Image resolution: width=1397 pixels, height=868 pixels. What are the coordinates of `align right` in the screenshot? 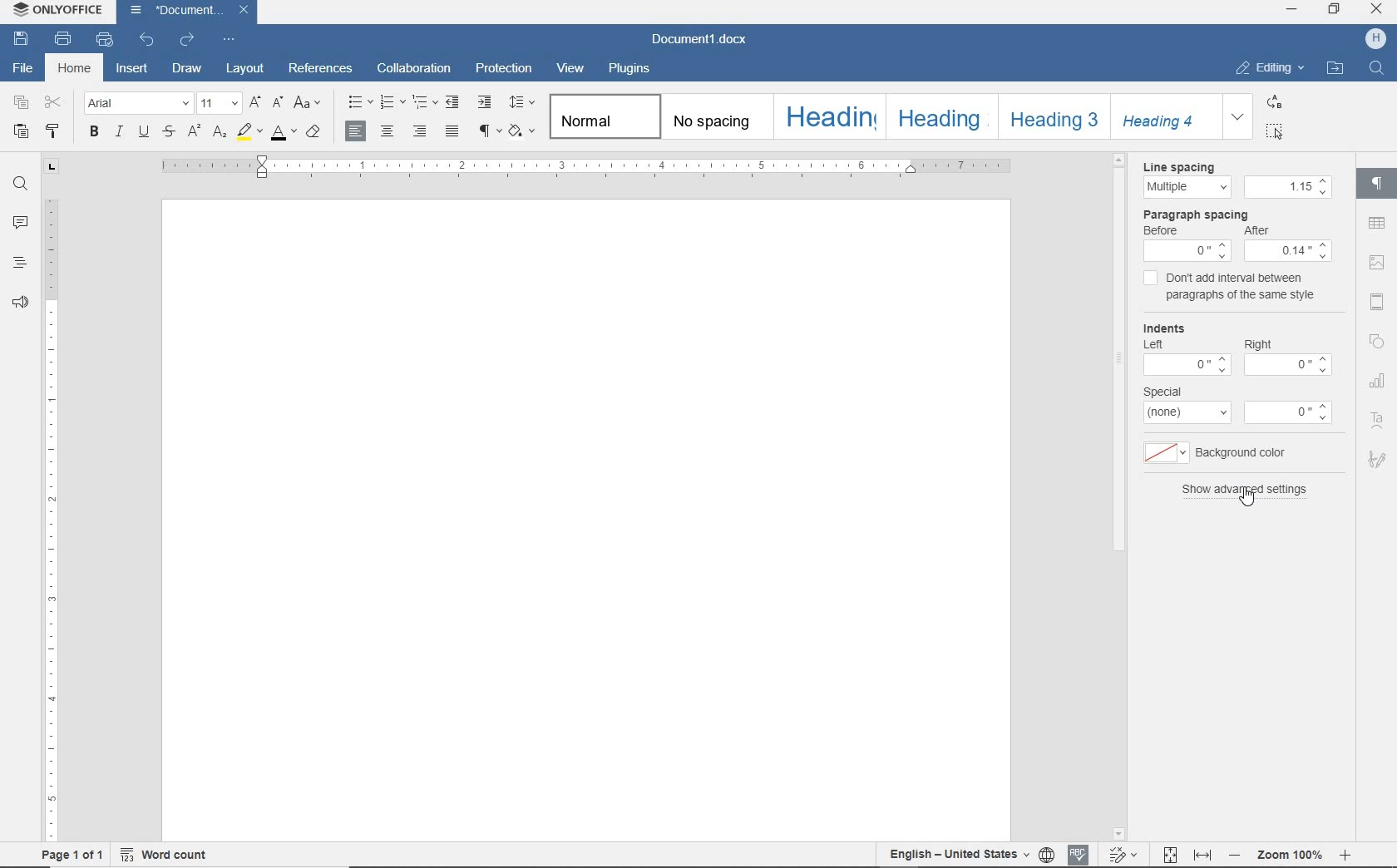 It's located at (420, 132).